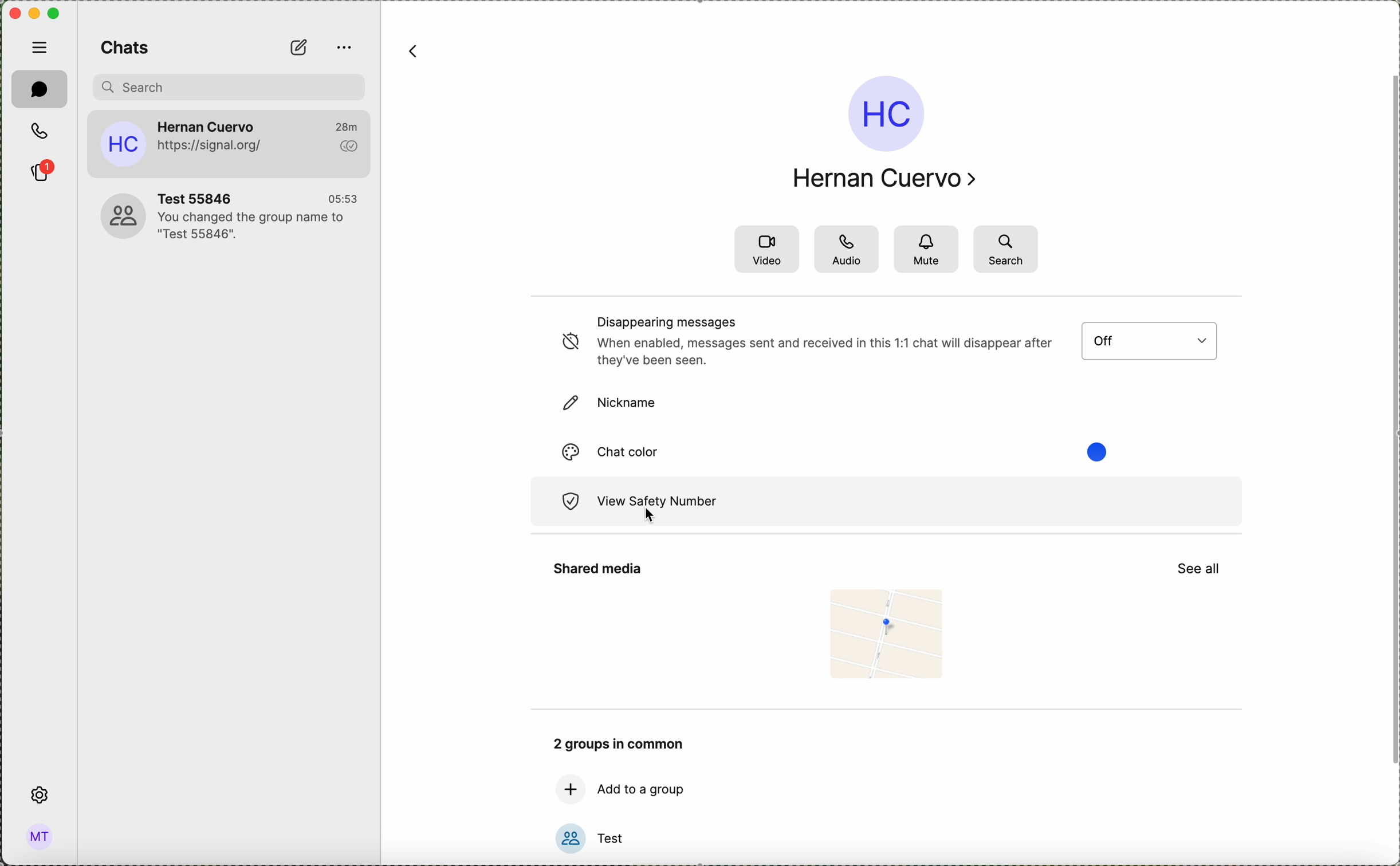  Describe the element at coordinates (617, 837) in the screenshot. I see `test` at that location.